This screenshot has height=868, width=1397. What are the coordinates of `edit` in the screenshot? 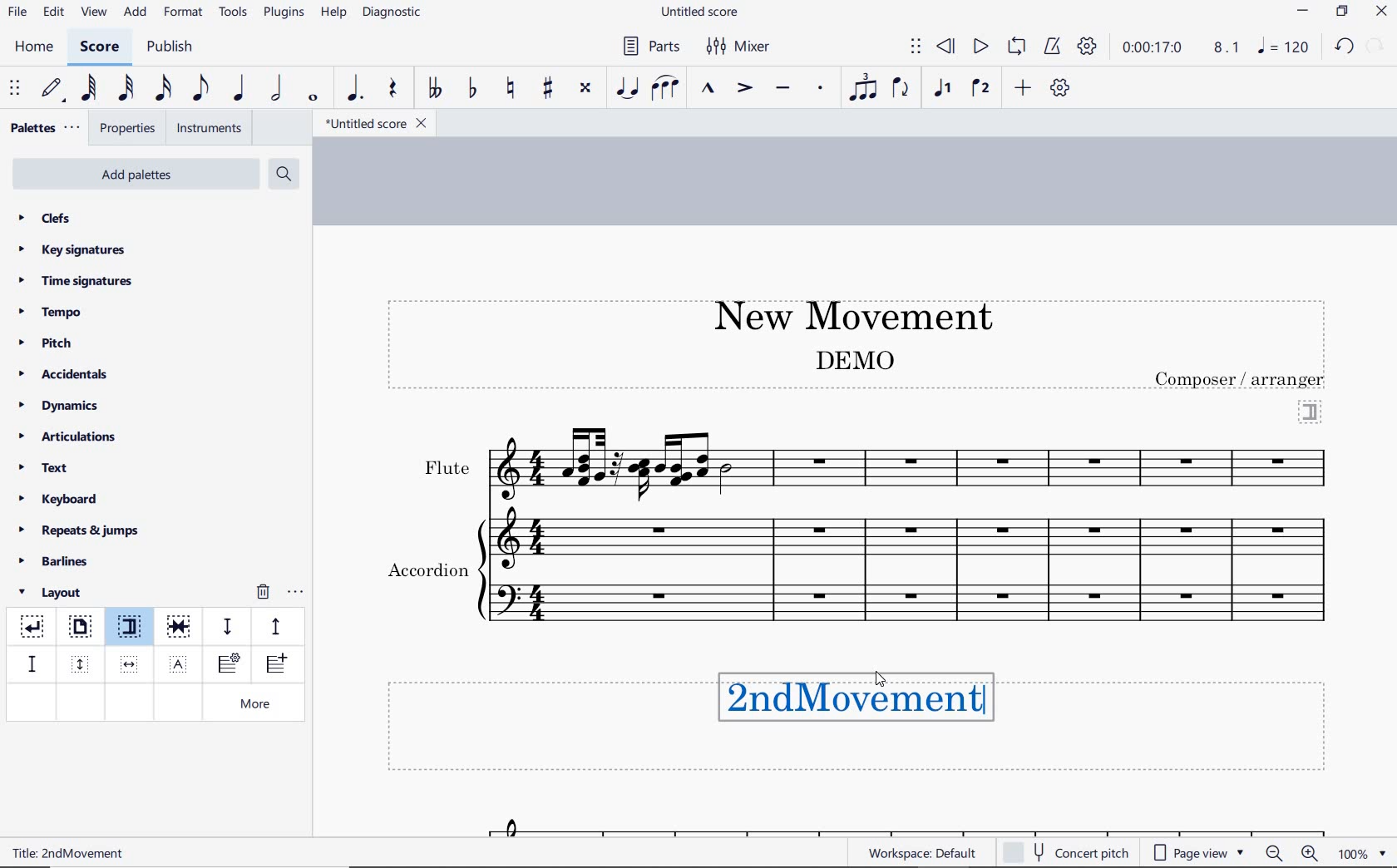 It's located at (52, 12).